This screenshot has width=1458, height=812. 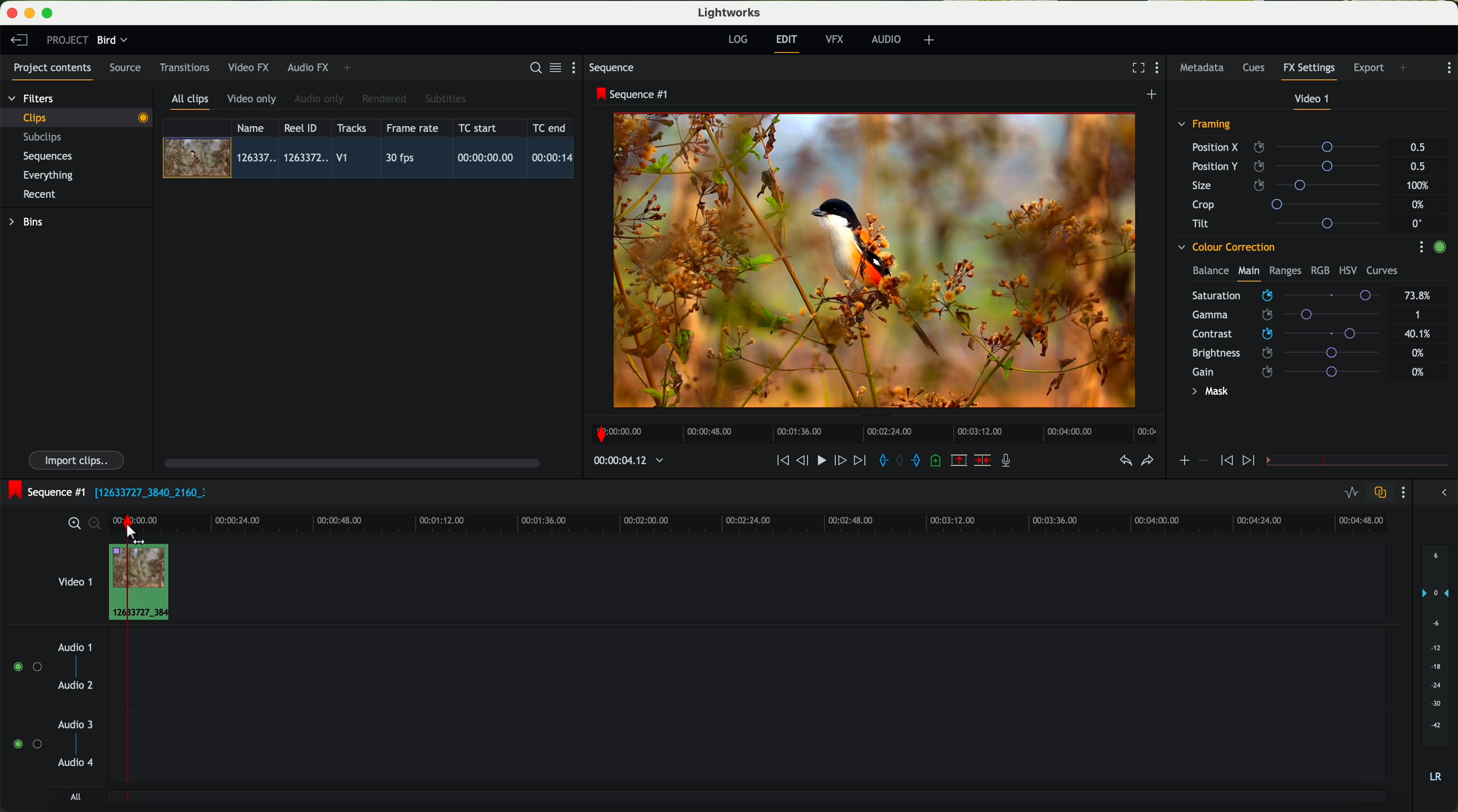 What do you see at coordinates (900, 461) in the screenshot?
I see `clear marks` at bounding box center [900, 461].